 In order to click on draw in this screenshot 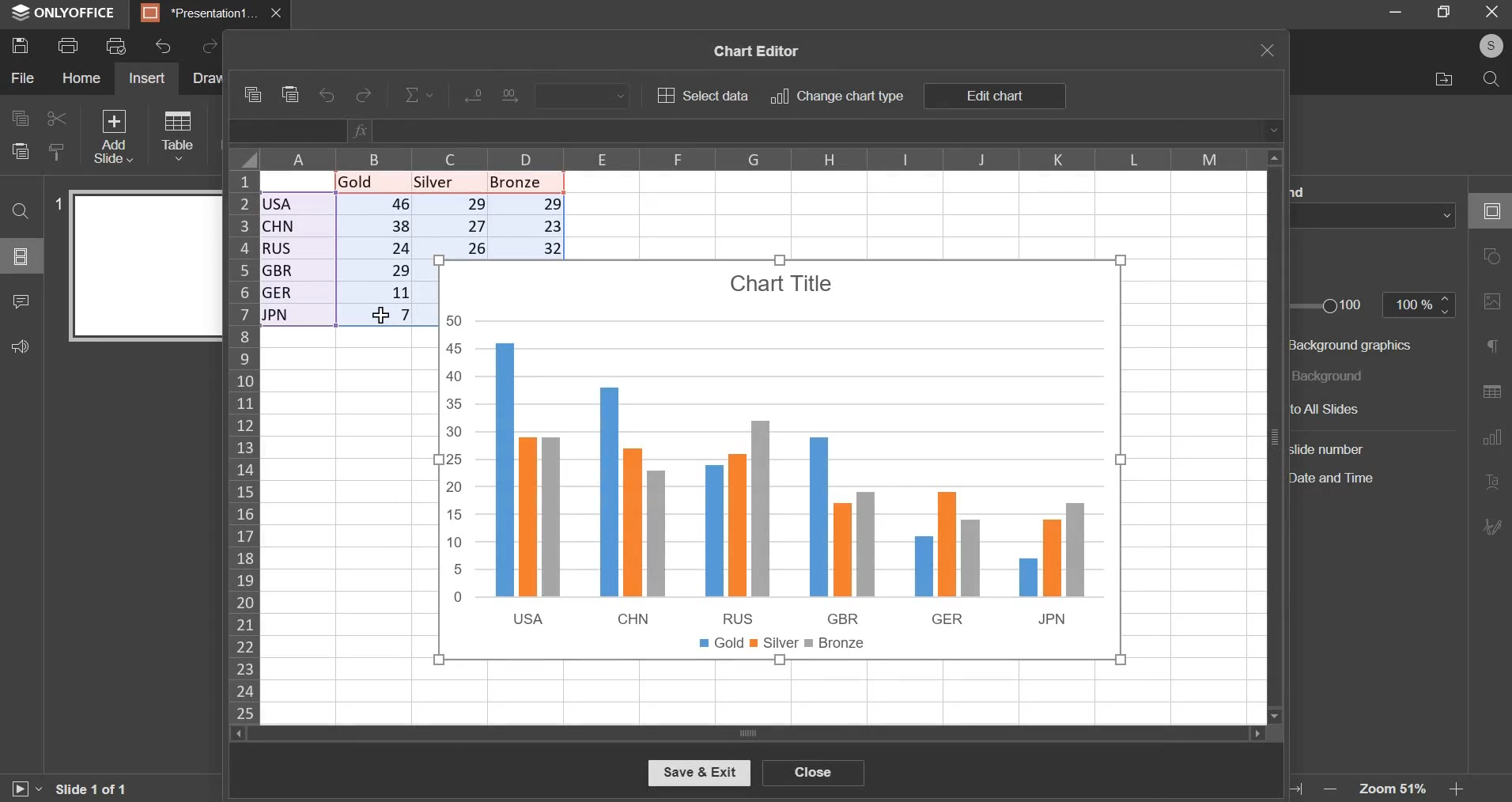, I will do `click(206, 78)`.